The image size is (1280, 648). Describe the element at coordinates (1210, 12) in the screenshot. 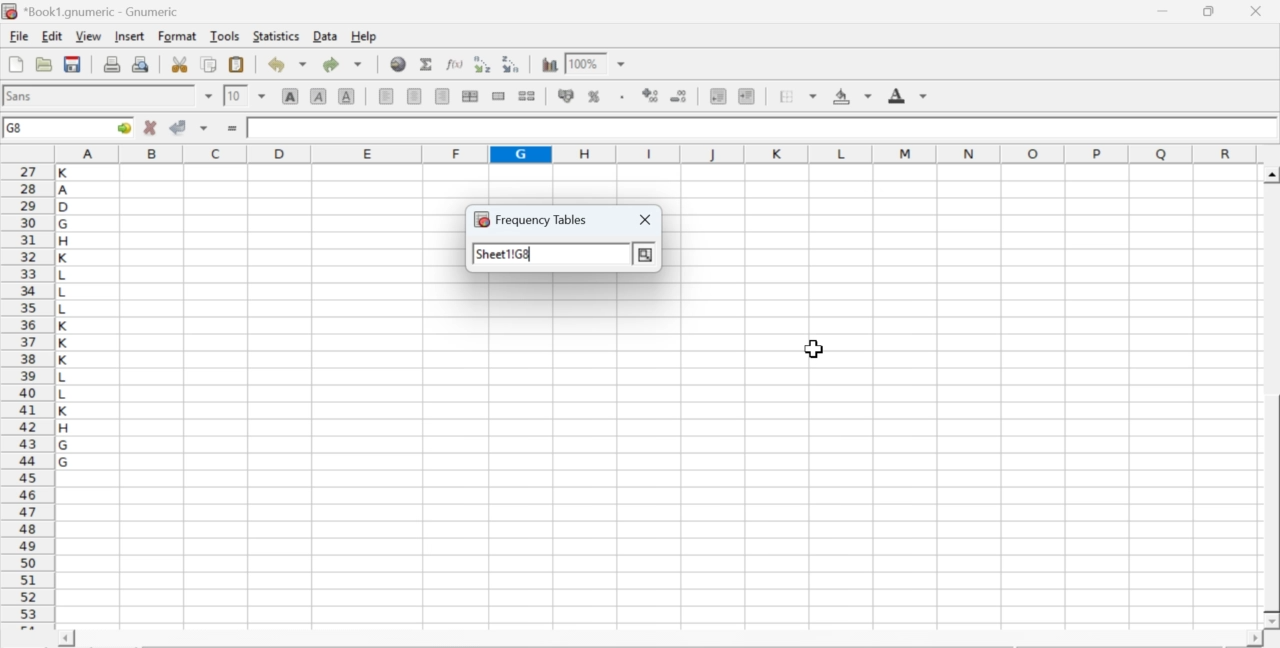

I see `restore down` at that location.